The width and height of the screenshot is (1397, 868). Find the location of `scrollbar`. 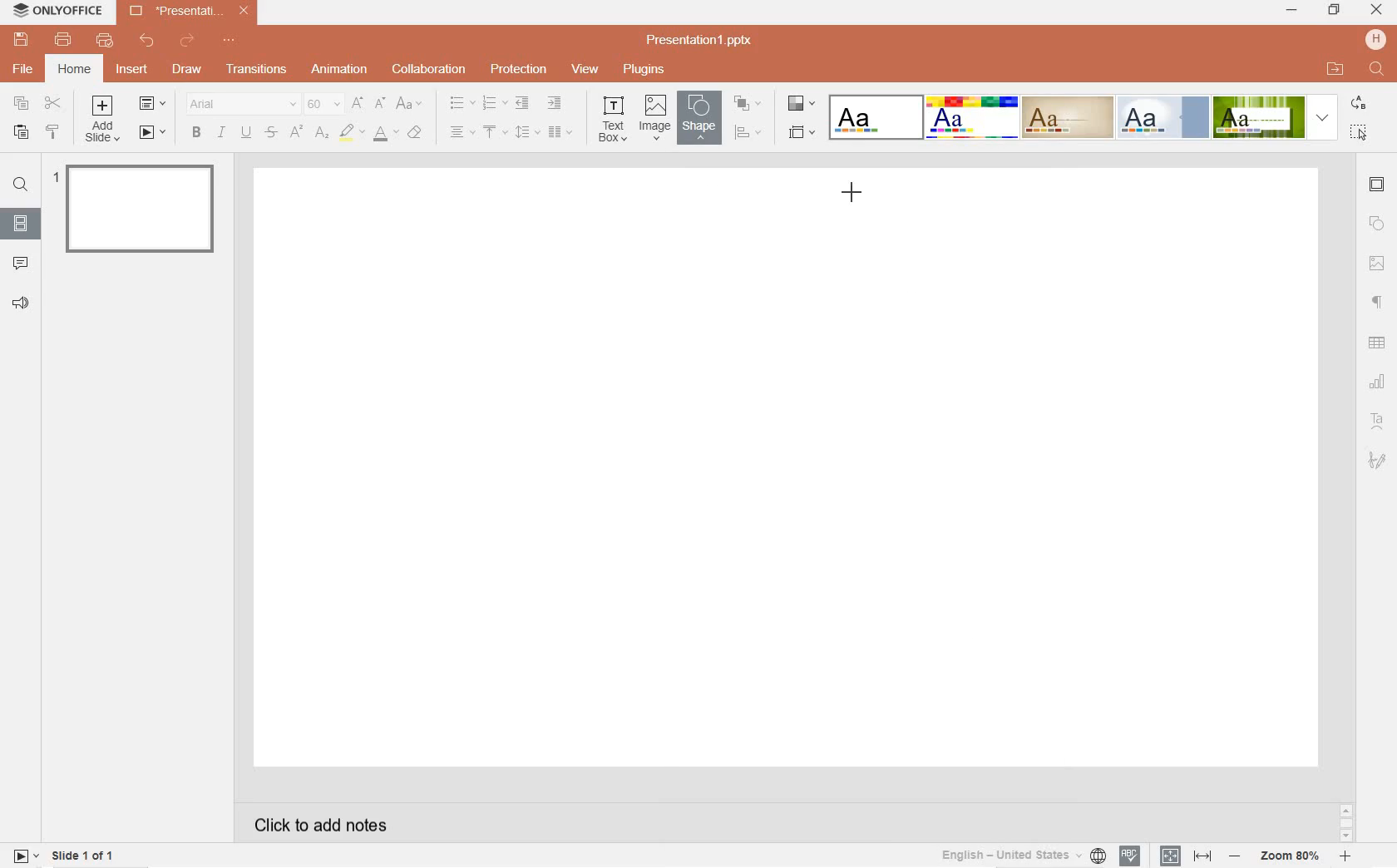

scrollbar is located at coordinates (1345, 822).